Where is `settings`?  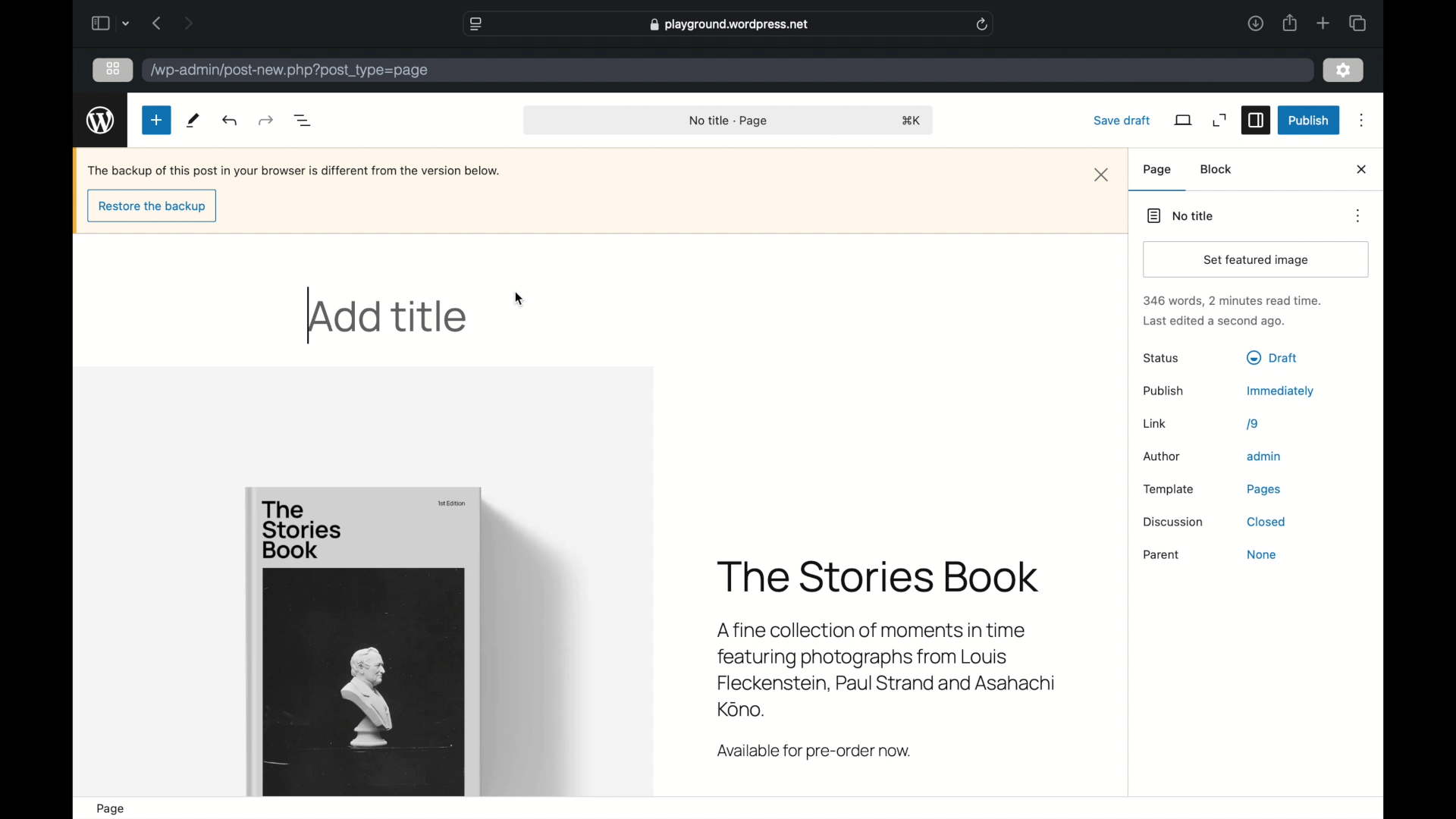
settings is located at coordinates (1345, 71).